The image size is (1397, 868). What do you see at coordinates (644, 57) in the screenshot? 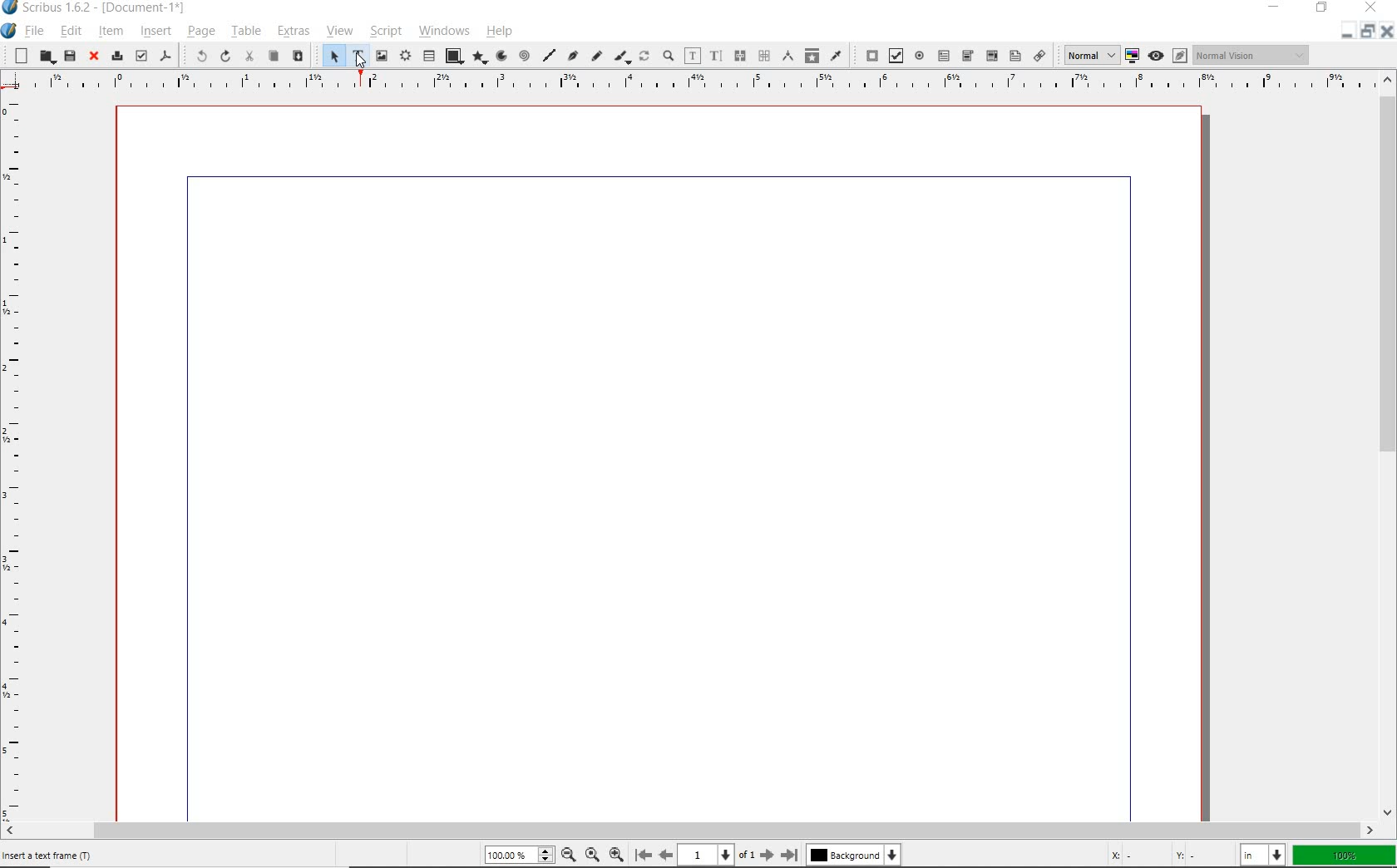
I see `rotate item` at bounding box center [644, 57].